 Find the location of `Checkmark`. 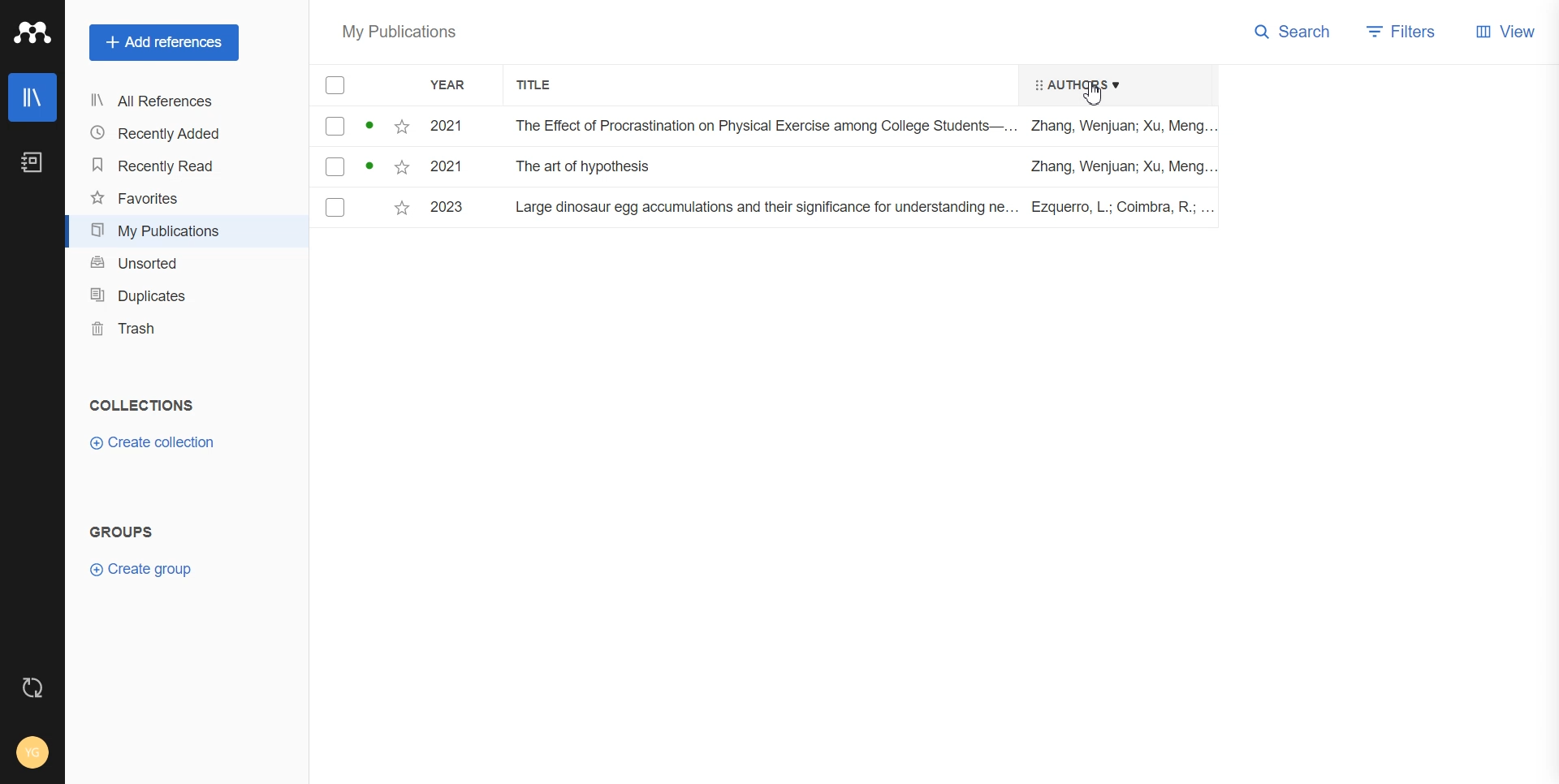

Checkmark is located at coordinates (334, 169).